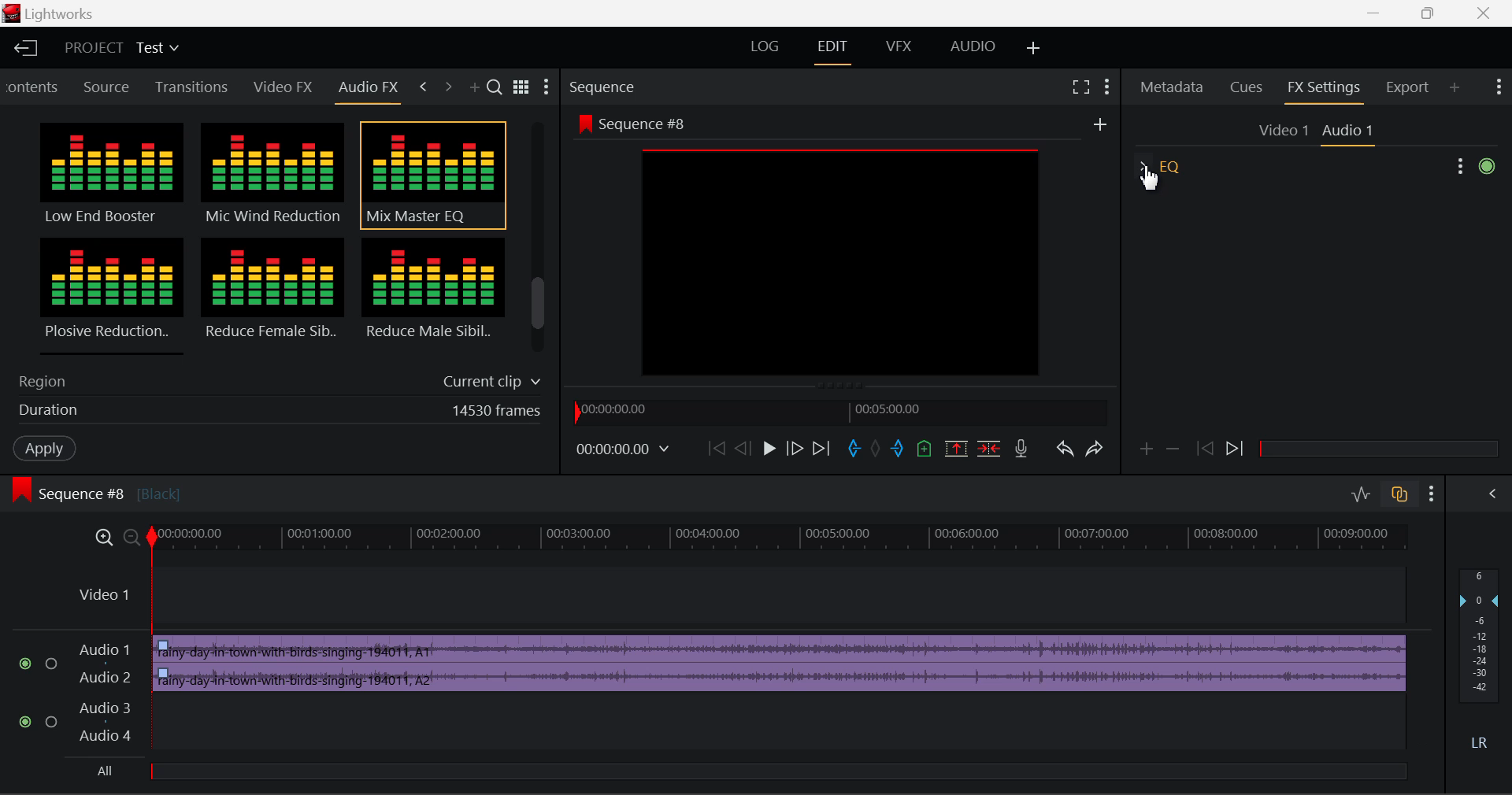 The height and width of the screenshot is (795, 1512). Describe the element at coordinates (109, 175) in the screenshot. I see `Low End Booster` at that location.